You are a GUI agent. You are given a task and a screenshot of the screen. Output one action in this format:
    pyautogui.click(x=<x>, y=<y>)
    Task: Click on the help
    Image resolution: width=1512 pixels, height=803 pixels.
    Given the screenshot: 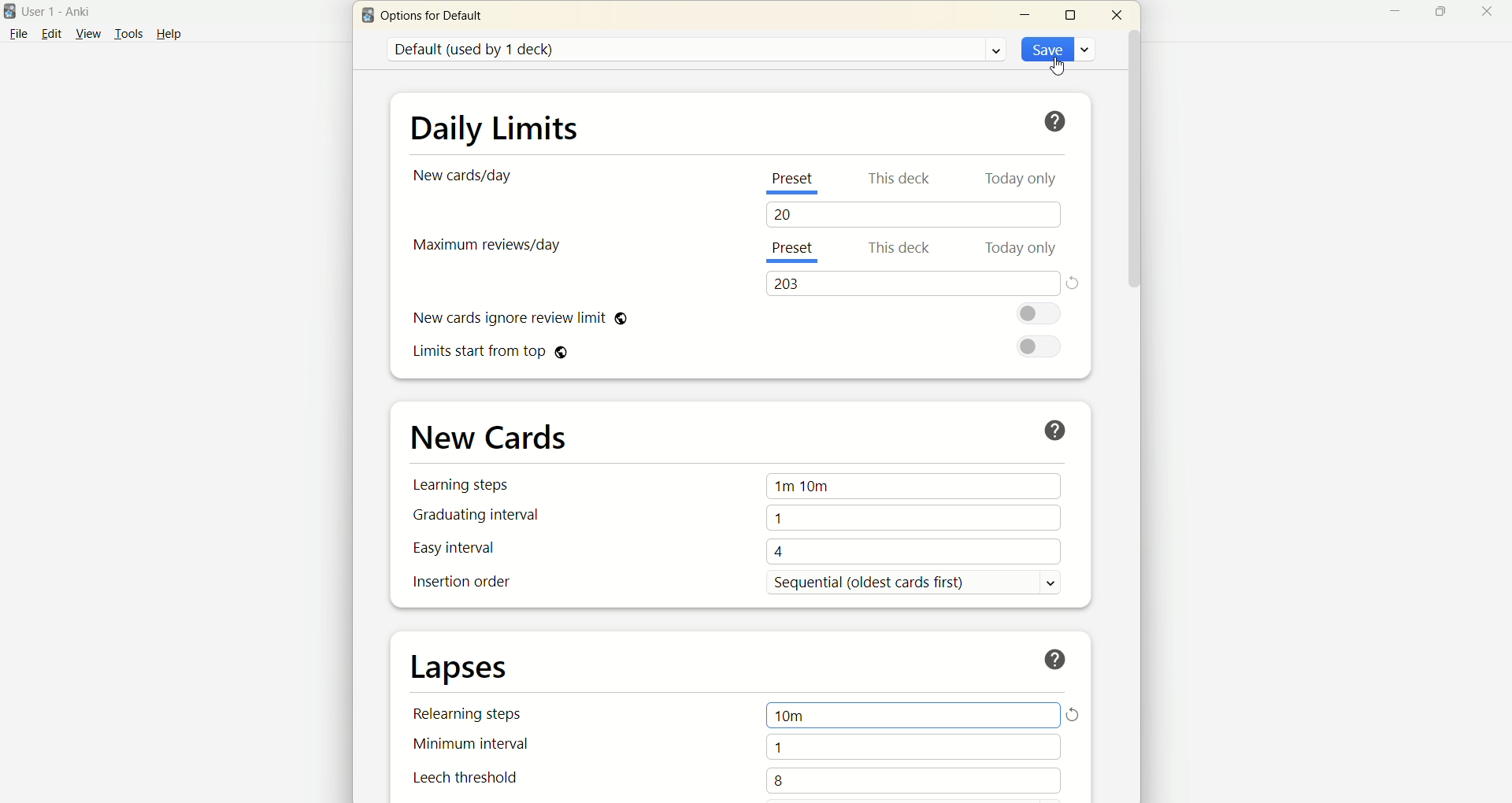 What is the action you would take?
    pyautogui.click(x=1058, y=659)
    